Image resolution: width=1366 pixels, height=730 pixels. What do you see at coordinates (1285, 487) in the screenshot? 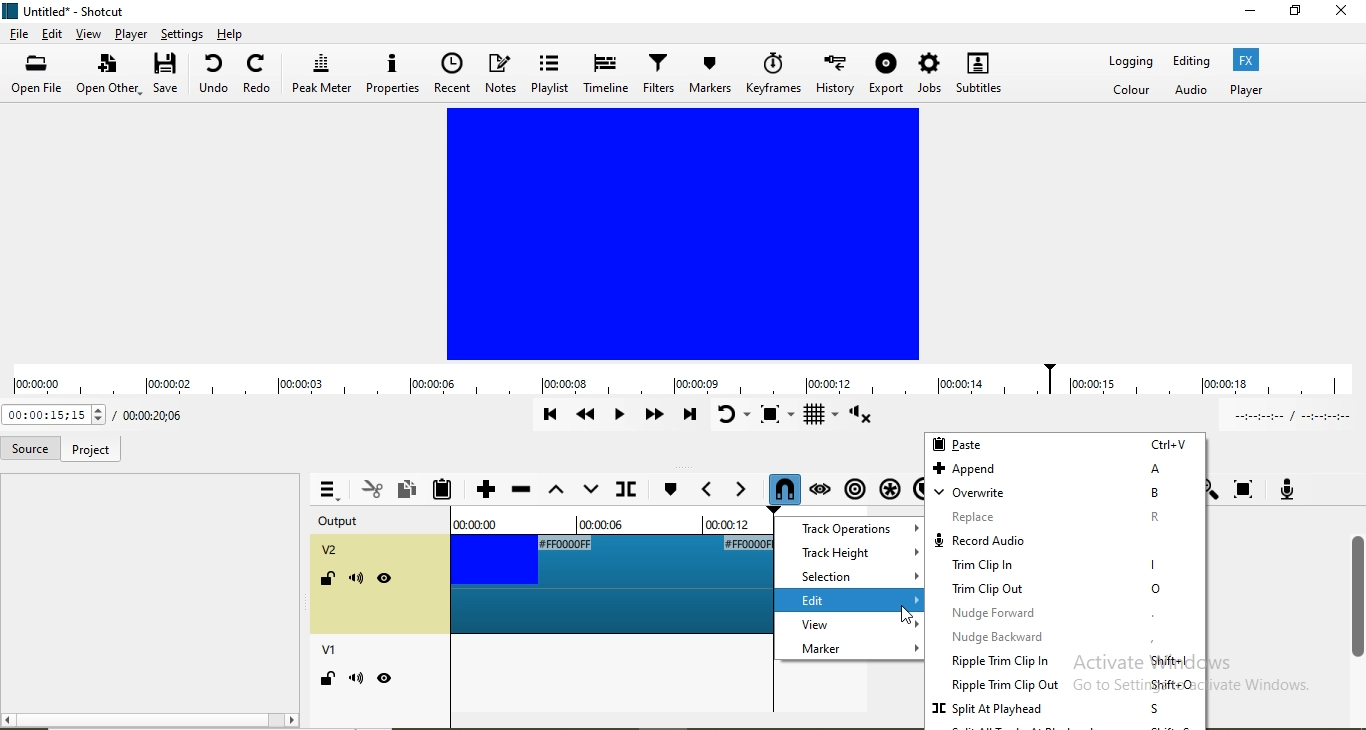
I see `Record audio` at bounding box center [1285, 487].